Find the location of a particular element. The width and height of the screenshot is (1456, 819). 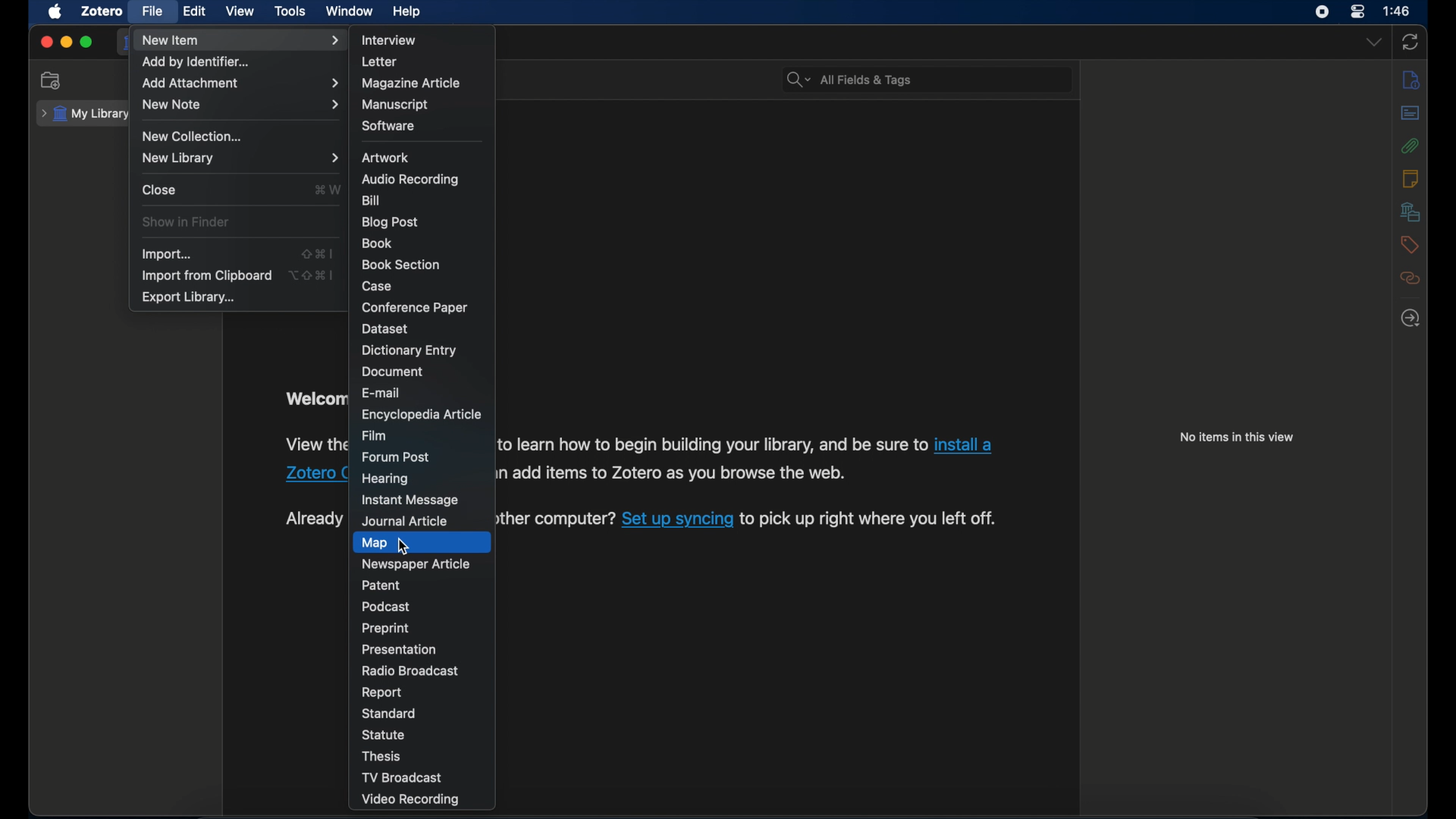

locate is located at coordinates (1410, 318).